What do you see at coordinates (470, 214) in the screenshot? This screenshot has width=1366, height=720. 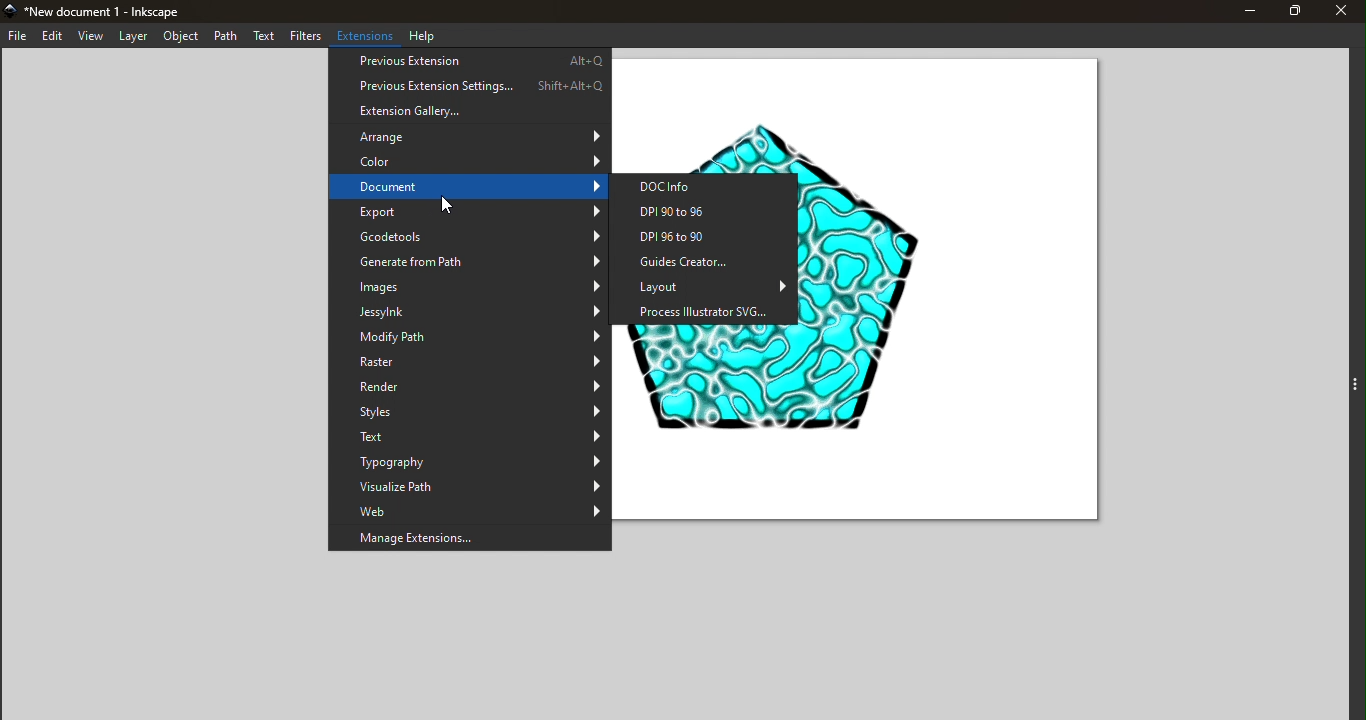 I see `Export` at bounding box center [470, 214].